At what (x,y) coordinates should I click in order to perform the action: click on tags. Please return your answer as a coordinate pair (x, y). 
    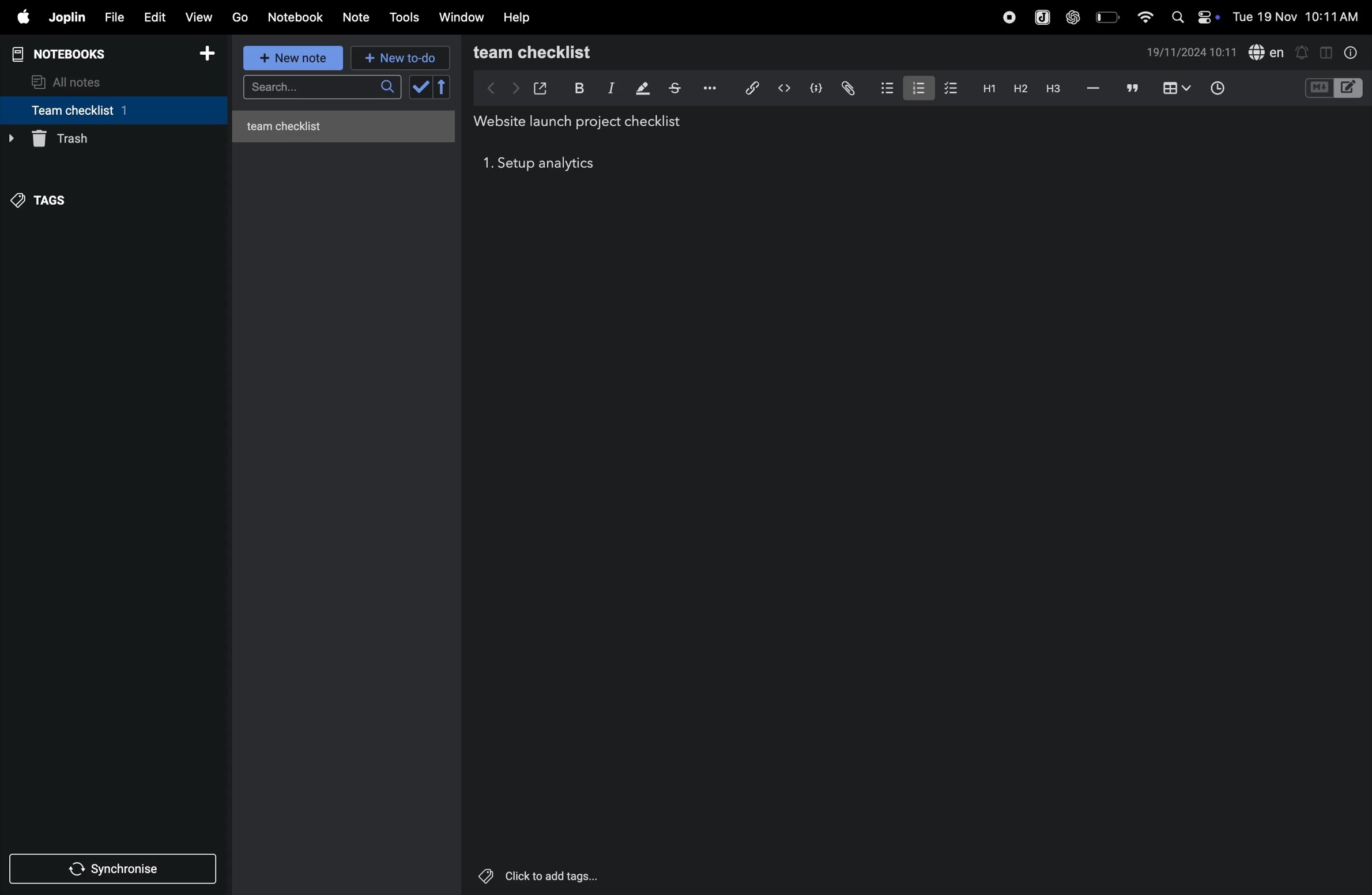
    Looking at the image, I should click on (47, 197).